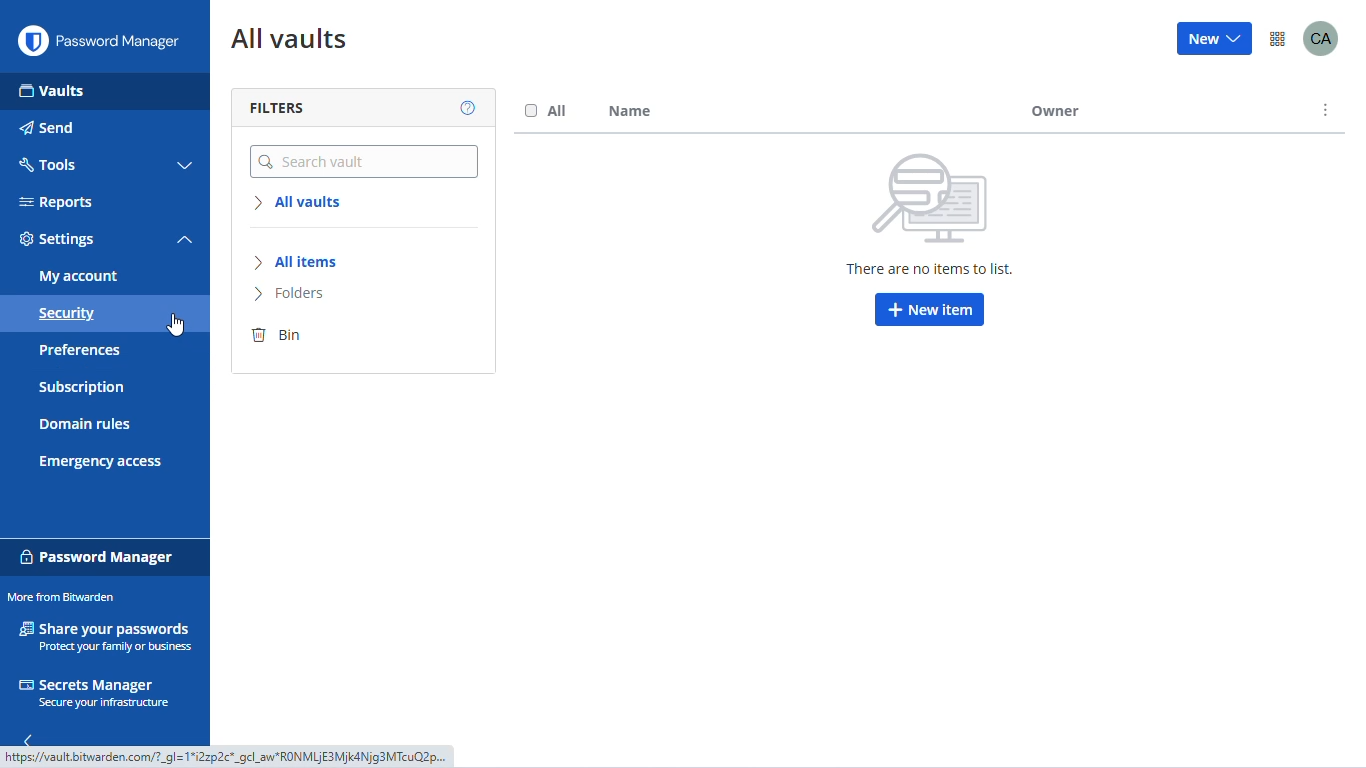  What do you see at coordinates (1278, 40) in the screenshot?
I see `more from bitwarden` at bounding box center [1278, 40].